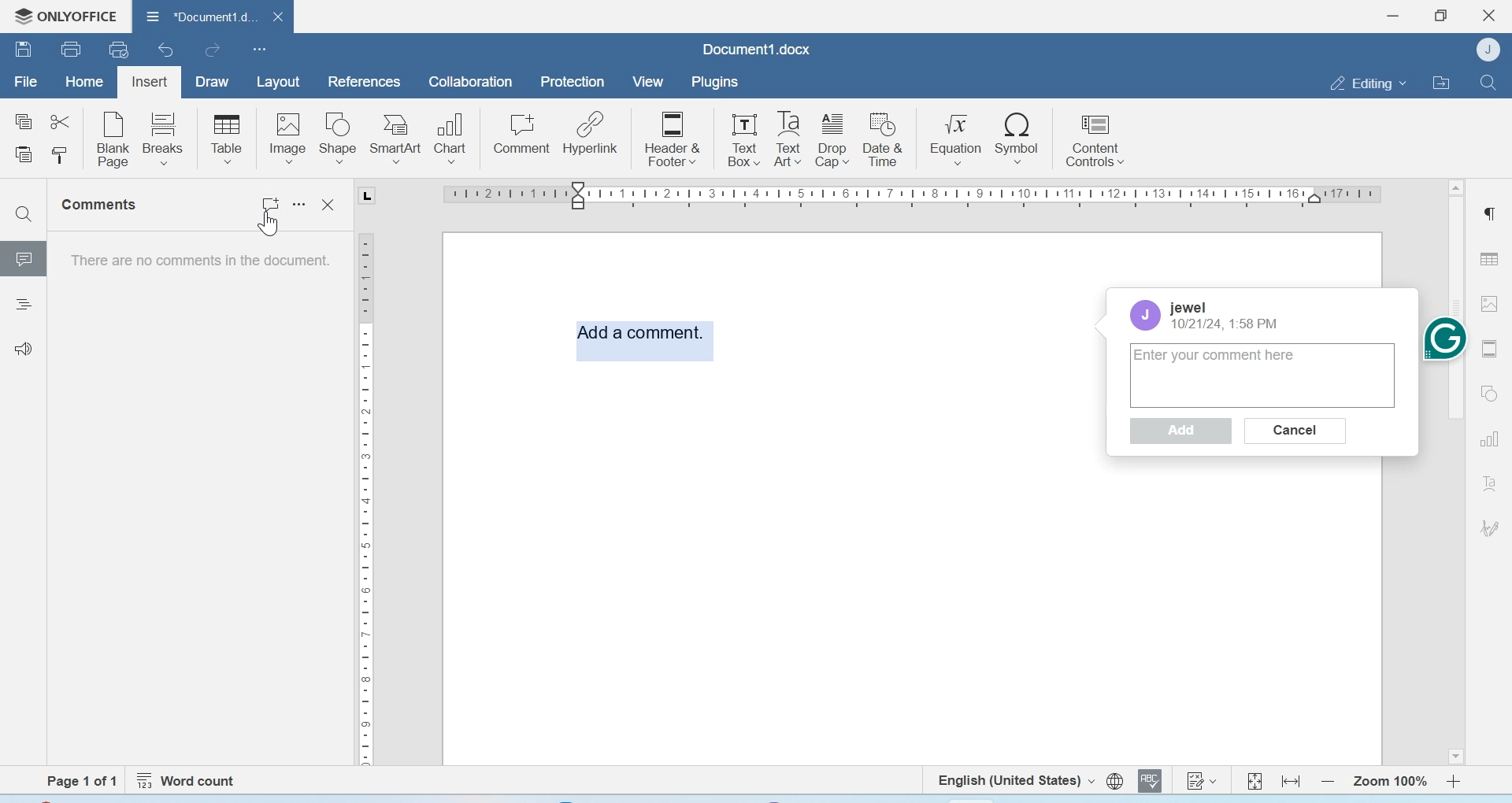 The image size is (1512, 803). Describe the element at coordinates (1297, 431) in the screenshot. I see `Cancel` at that location.